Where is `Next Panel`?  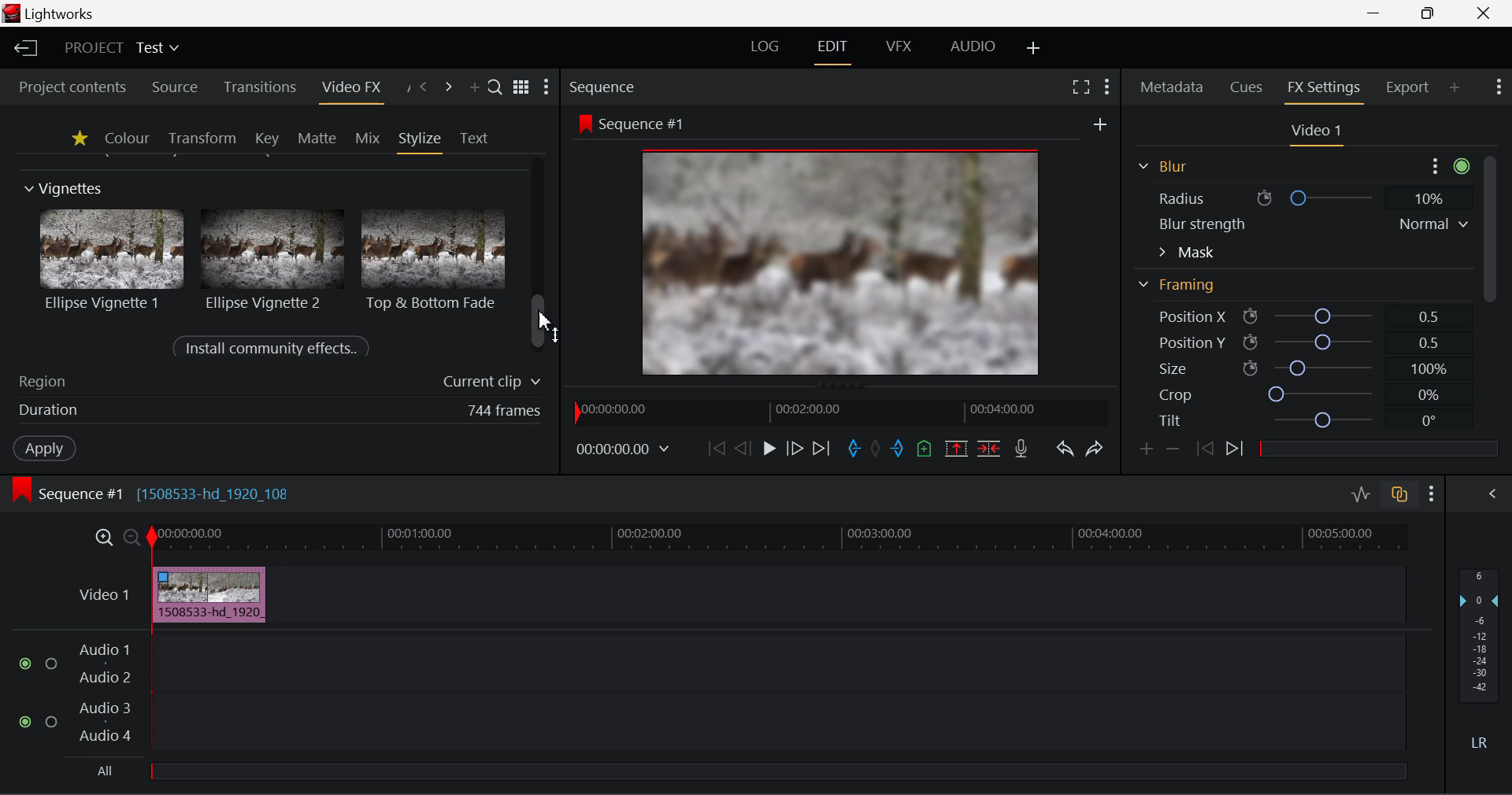
Next Panel is located at coordinates (449, 87).